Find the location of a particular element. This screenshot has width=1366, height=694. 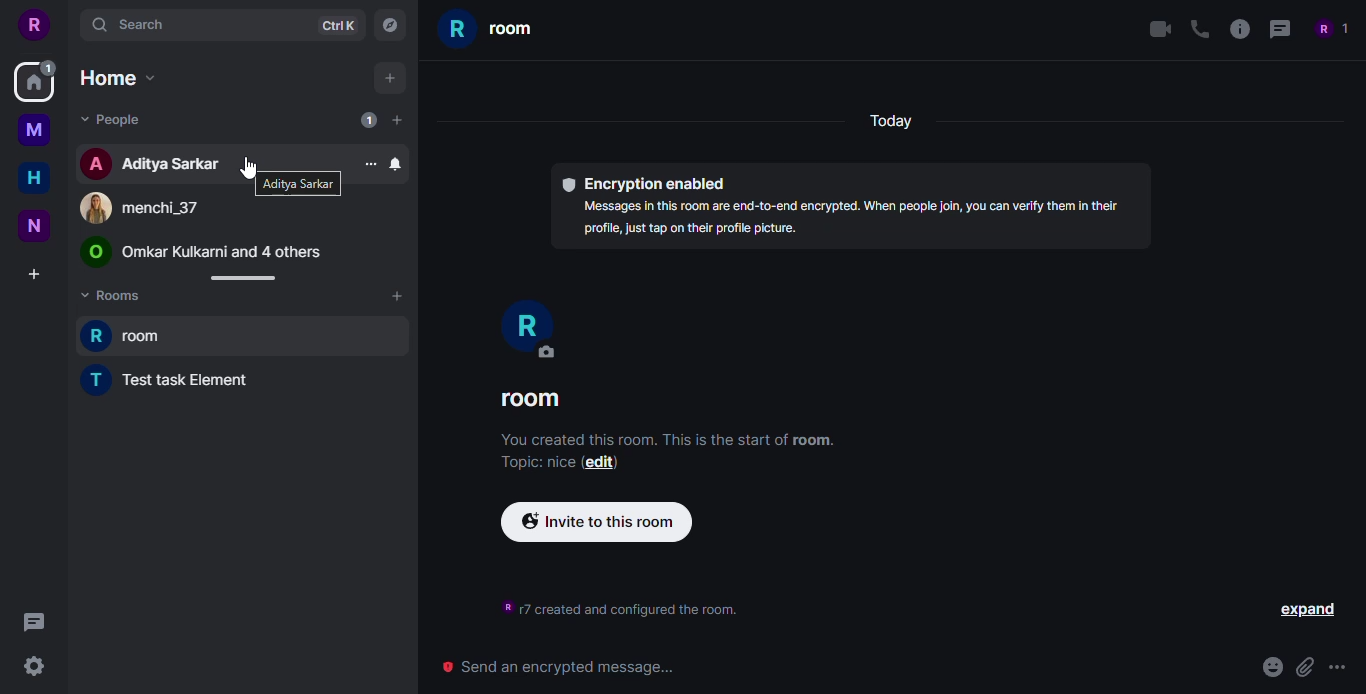

notification is located at coordinates (395, 163).